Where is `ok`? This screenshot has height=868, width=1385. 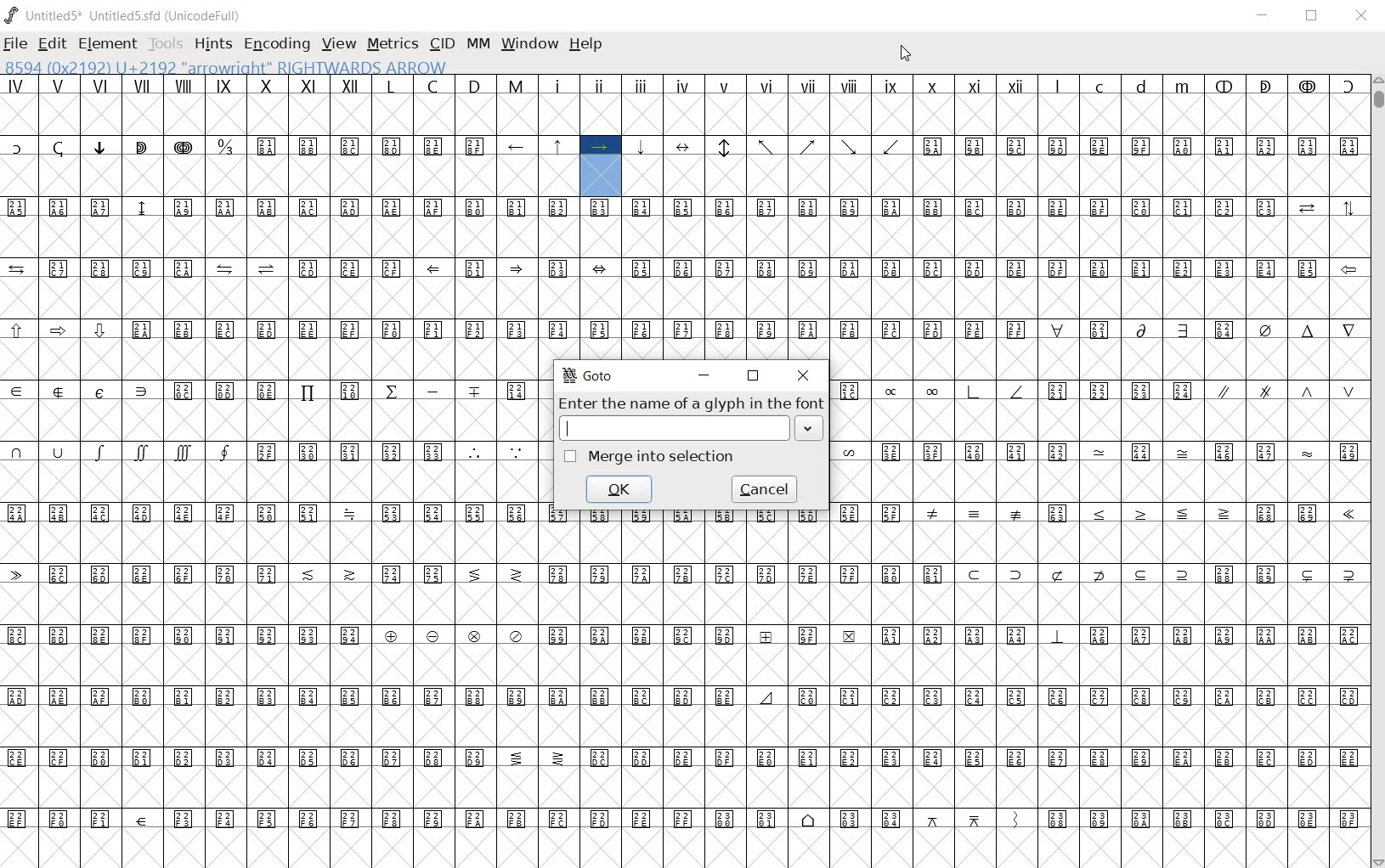
ok is located at coordinates (621, 488).